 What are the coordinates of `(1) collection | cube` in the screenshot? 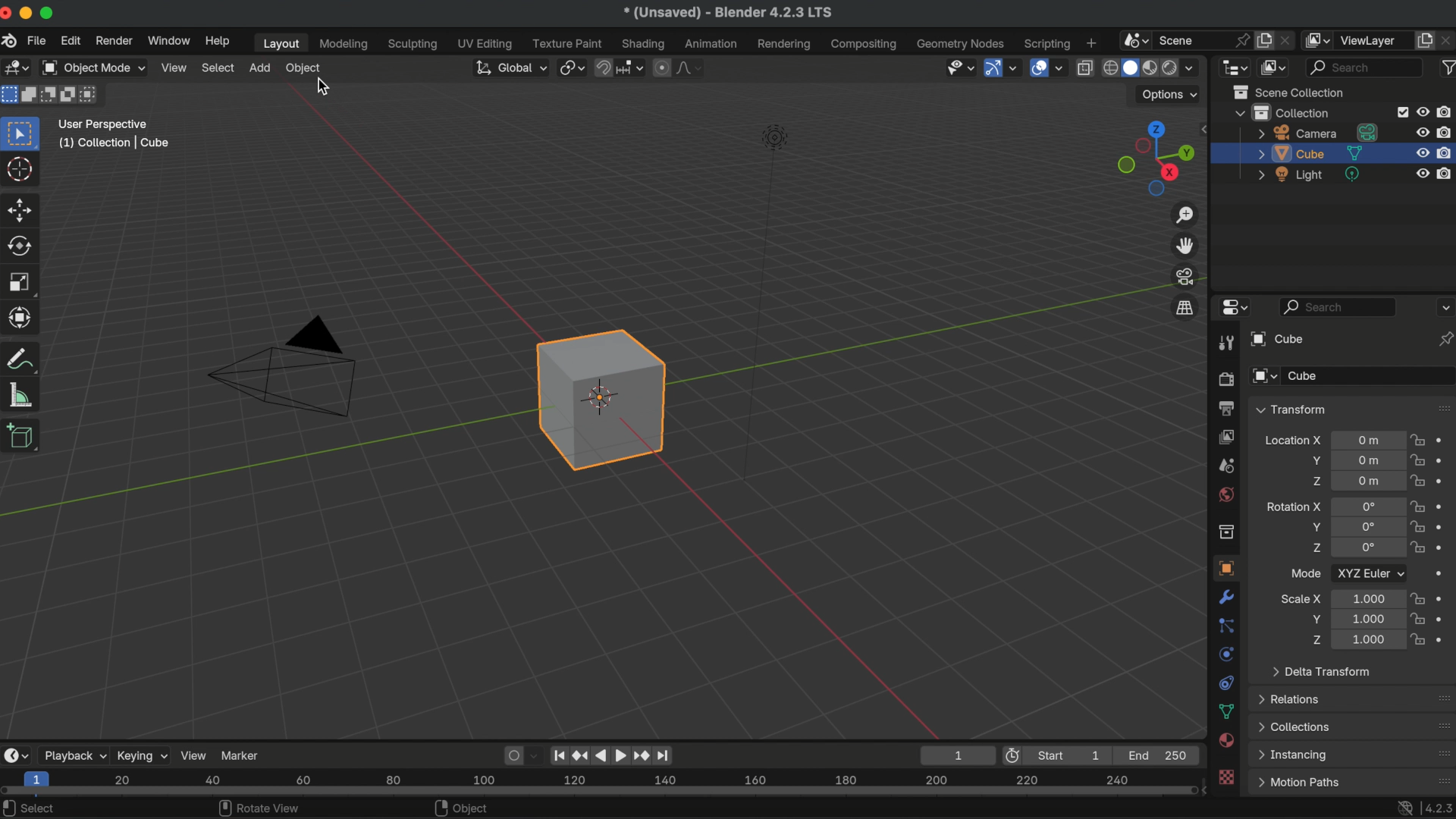 It's located at (114, 143).